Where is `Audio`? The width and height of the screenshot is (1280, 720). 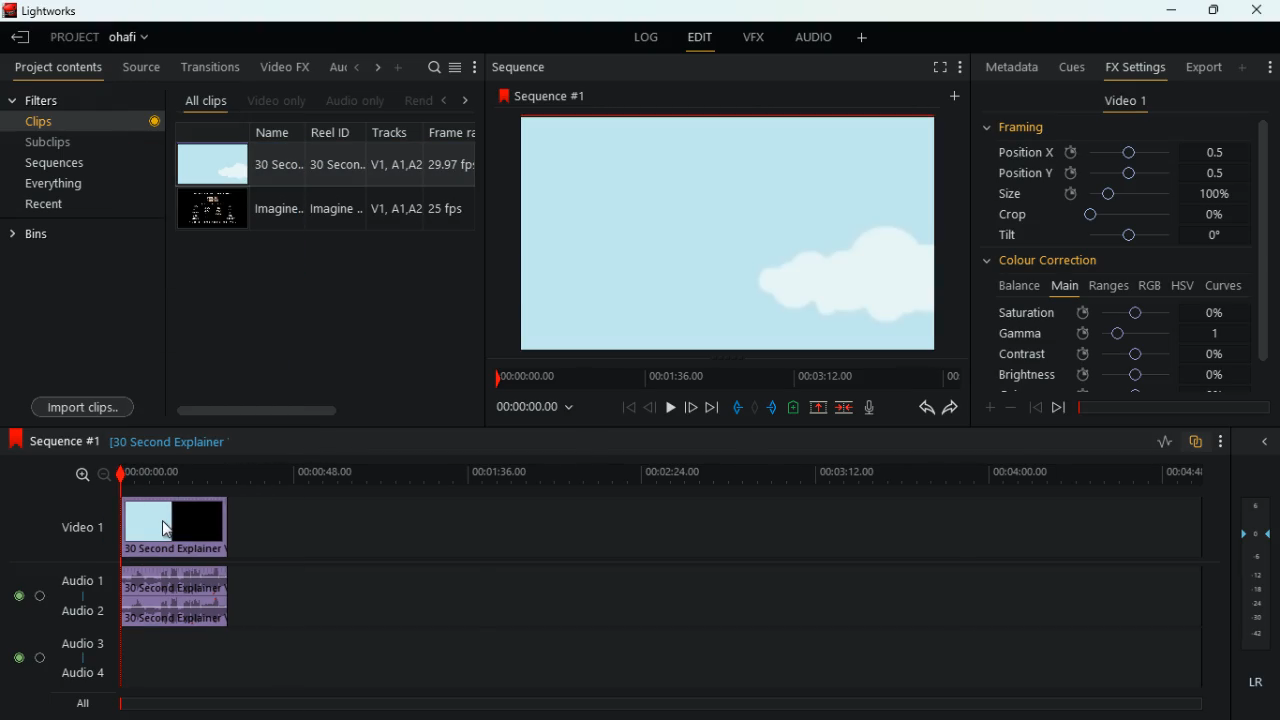
Audio is located at coordinates (28, 658).